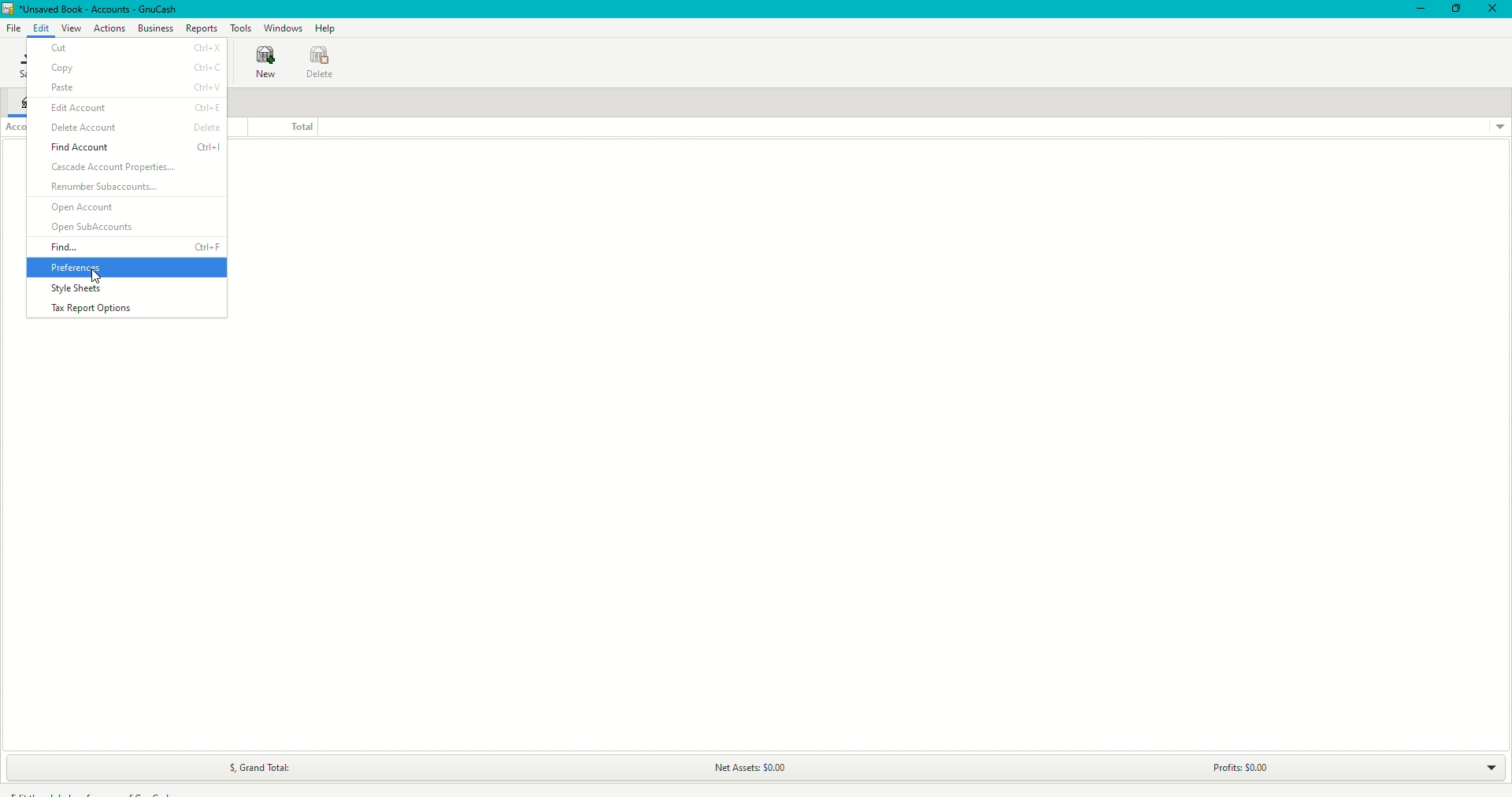  Describe the element at coordinates (1499, 127) in the screenshot. I see `Drop down` at that location.